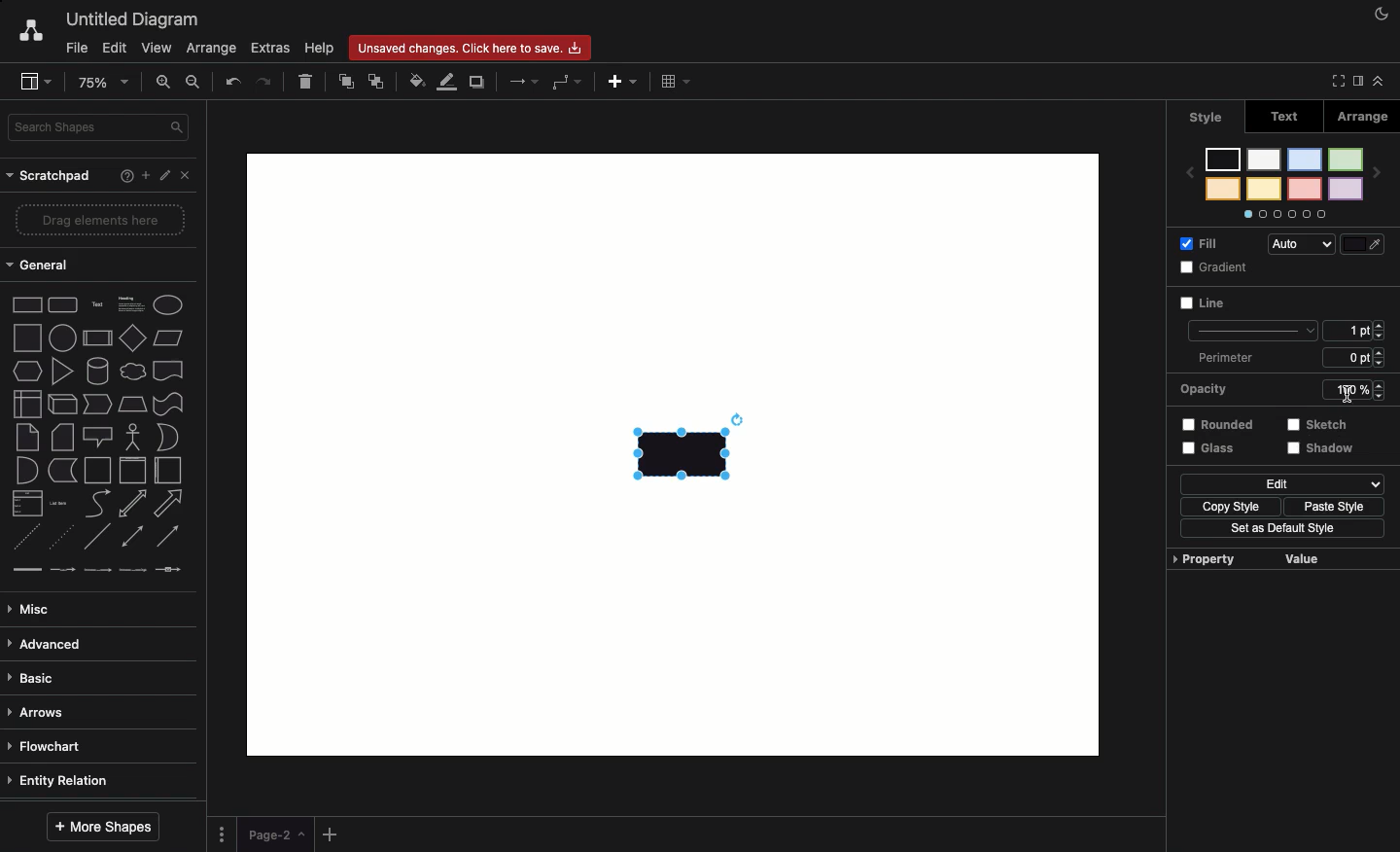  What do you see at coordinates (60, 782) in the screenshot?
I see `Entity relation` at bounding box center [60, 782].